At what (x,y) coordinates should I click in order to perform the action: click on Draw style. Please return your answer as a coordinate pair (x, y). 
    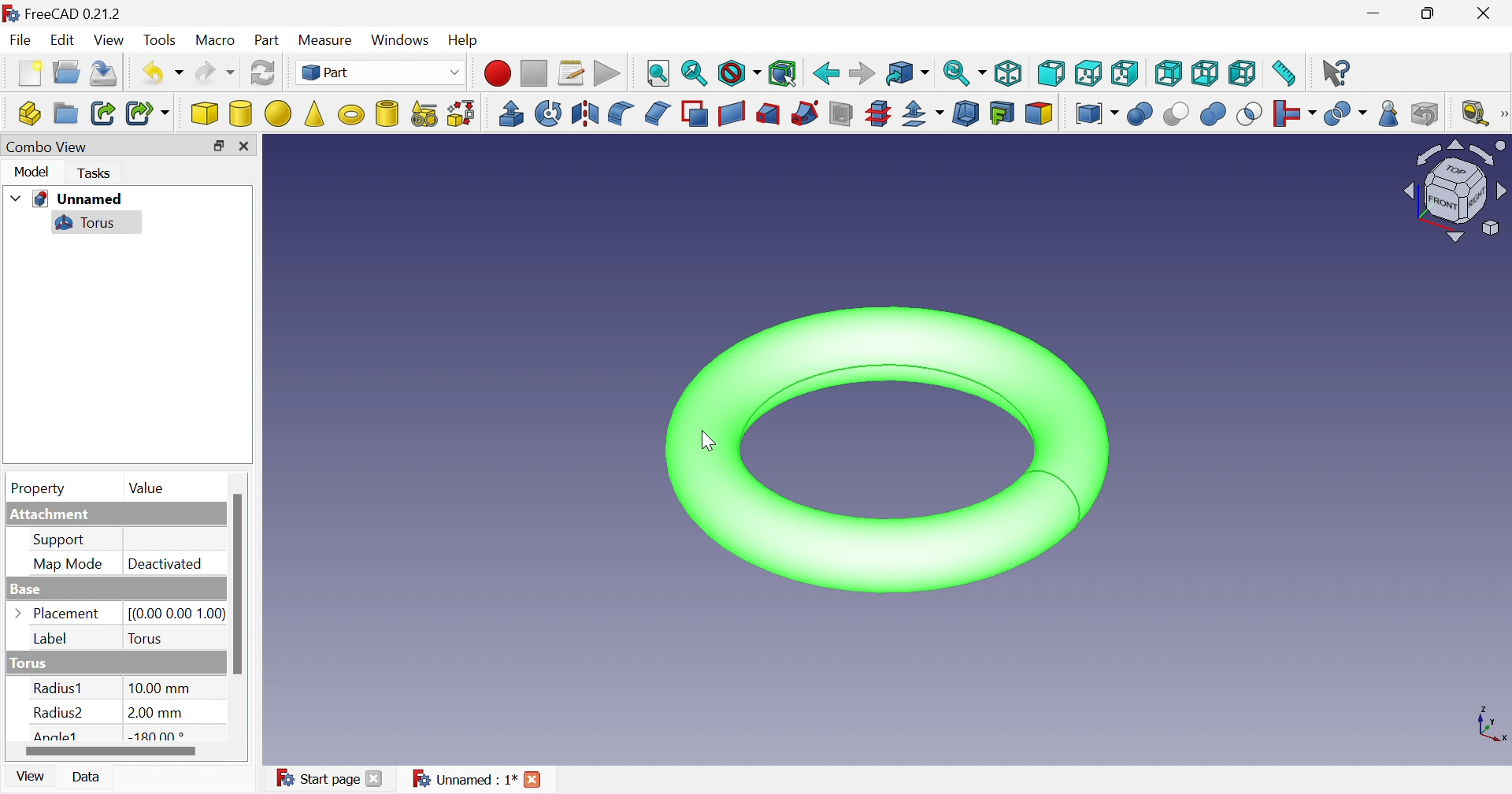
    Looking at the image, I should click on (739, 72).